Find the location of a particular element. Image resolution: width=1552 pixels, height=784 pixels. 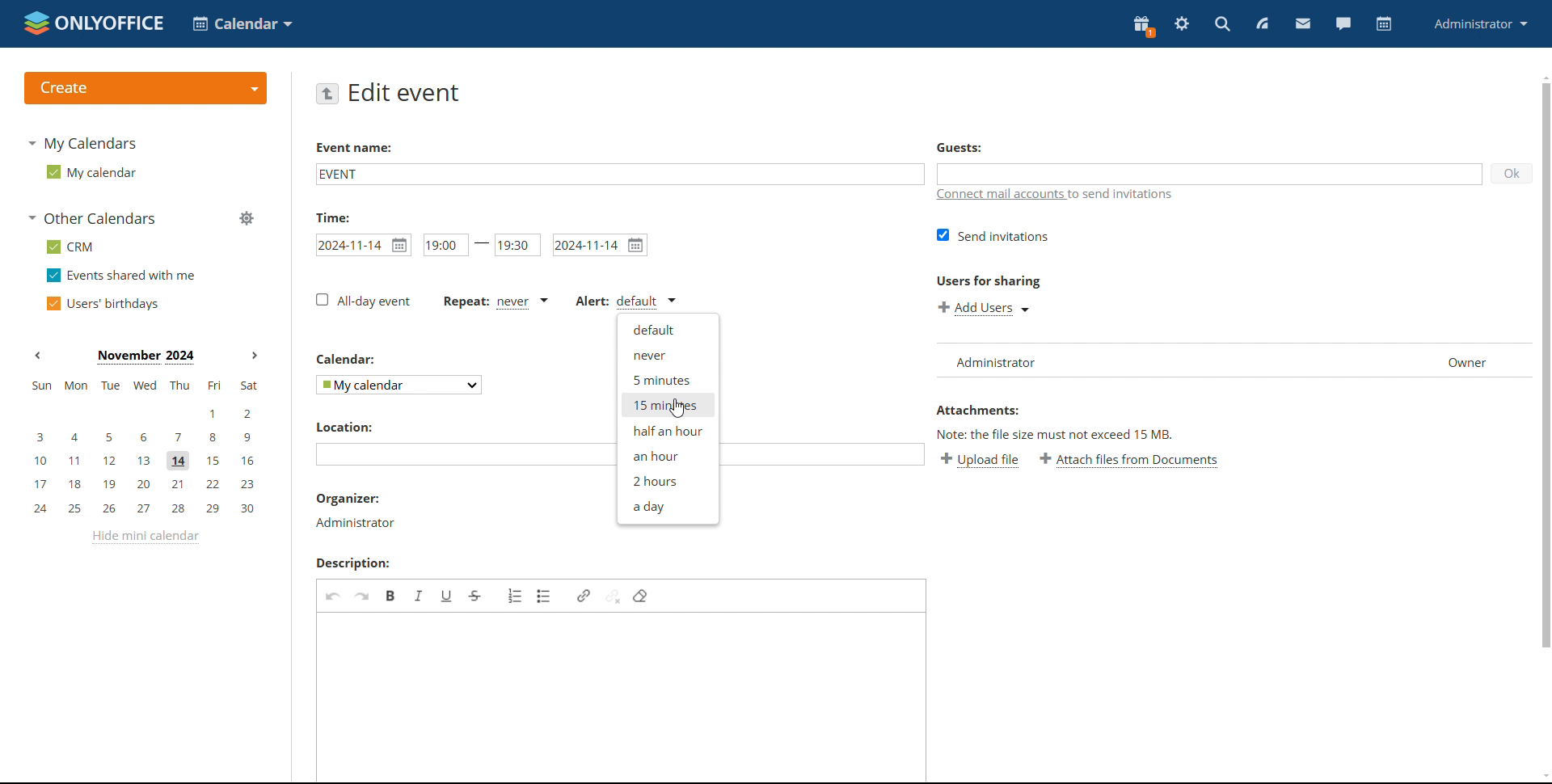

profile is located at coordinates (1481, 23).